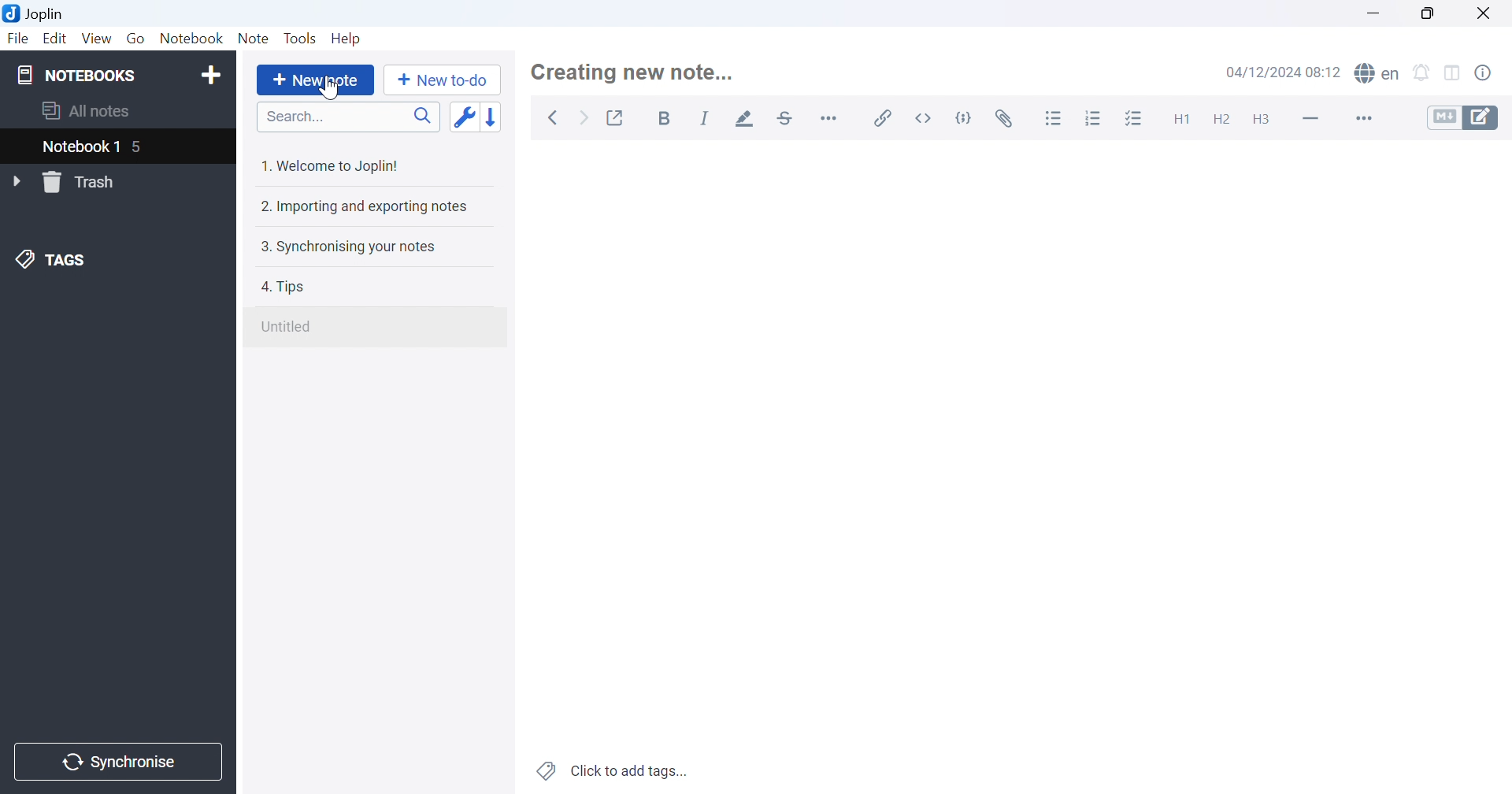 The height and width of the screenshot is (794, 1512). I want to click on 4. Tips, so click(290, 286).